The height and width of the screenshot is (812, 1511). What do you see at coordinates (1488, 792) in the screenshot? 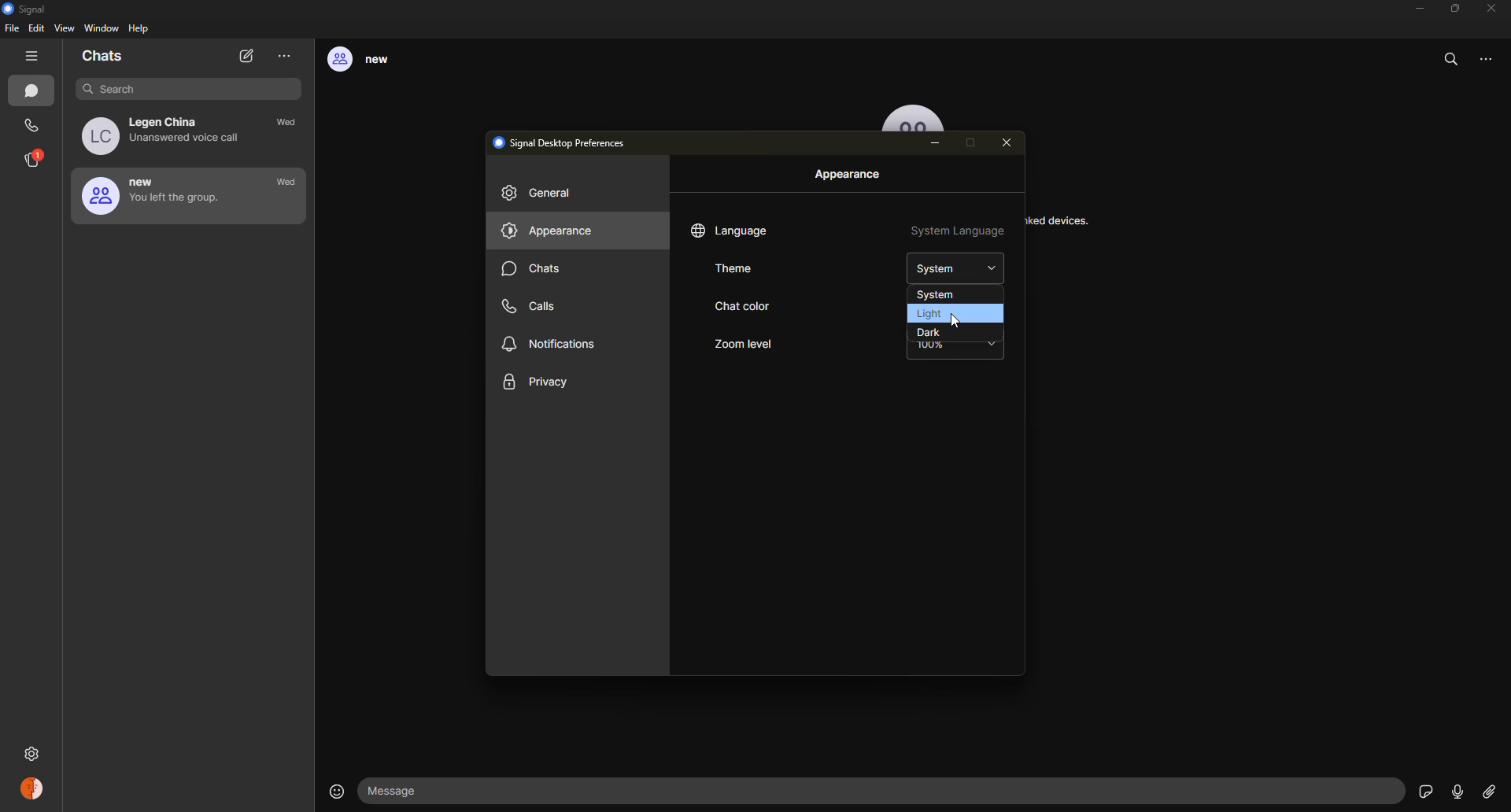
I see `attach` at bounding box center [1488, 792].